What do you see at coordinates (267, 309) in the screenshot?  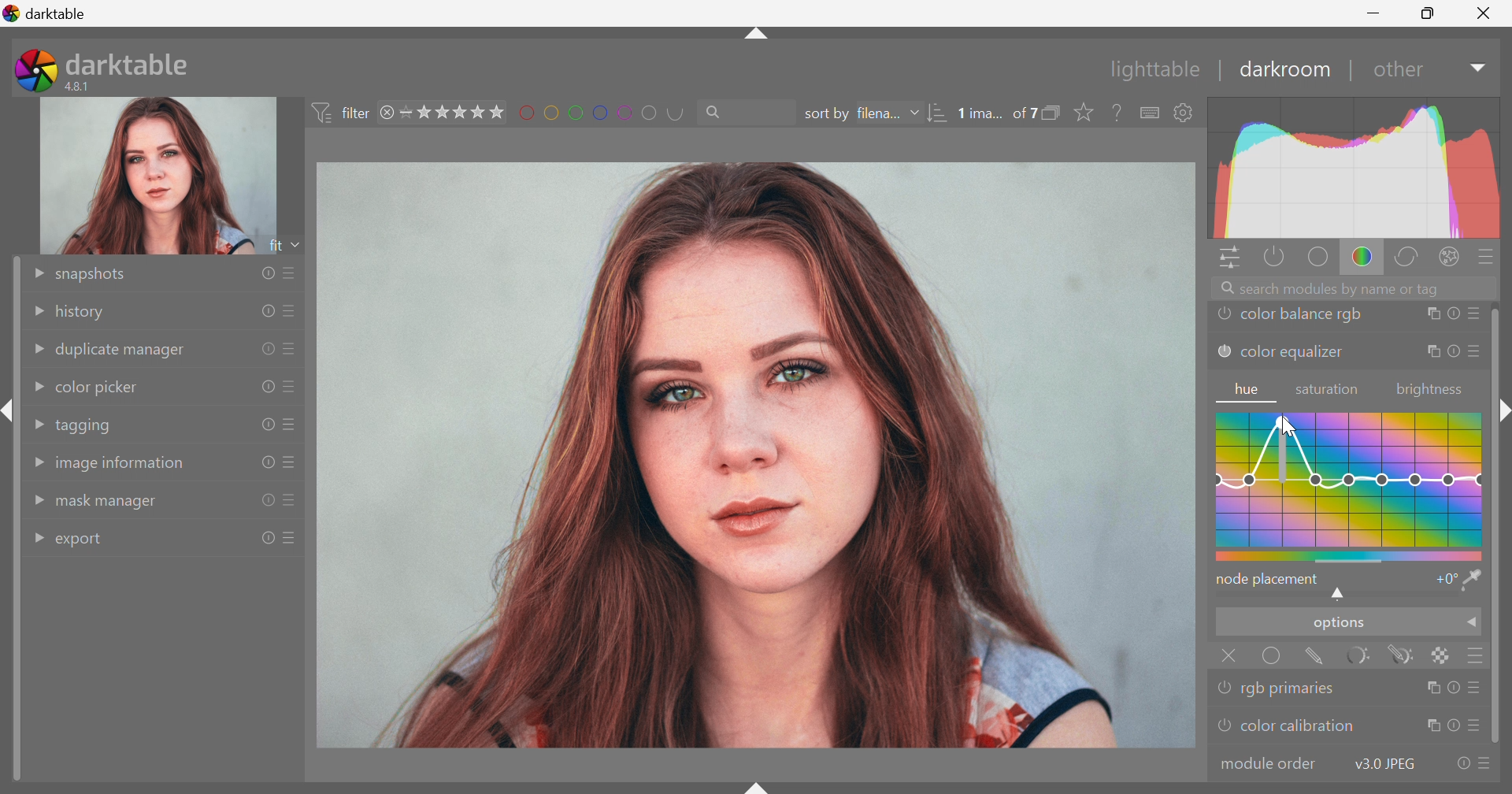 I see `reset` at bounding box center [267, 309].